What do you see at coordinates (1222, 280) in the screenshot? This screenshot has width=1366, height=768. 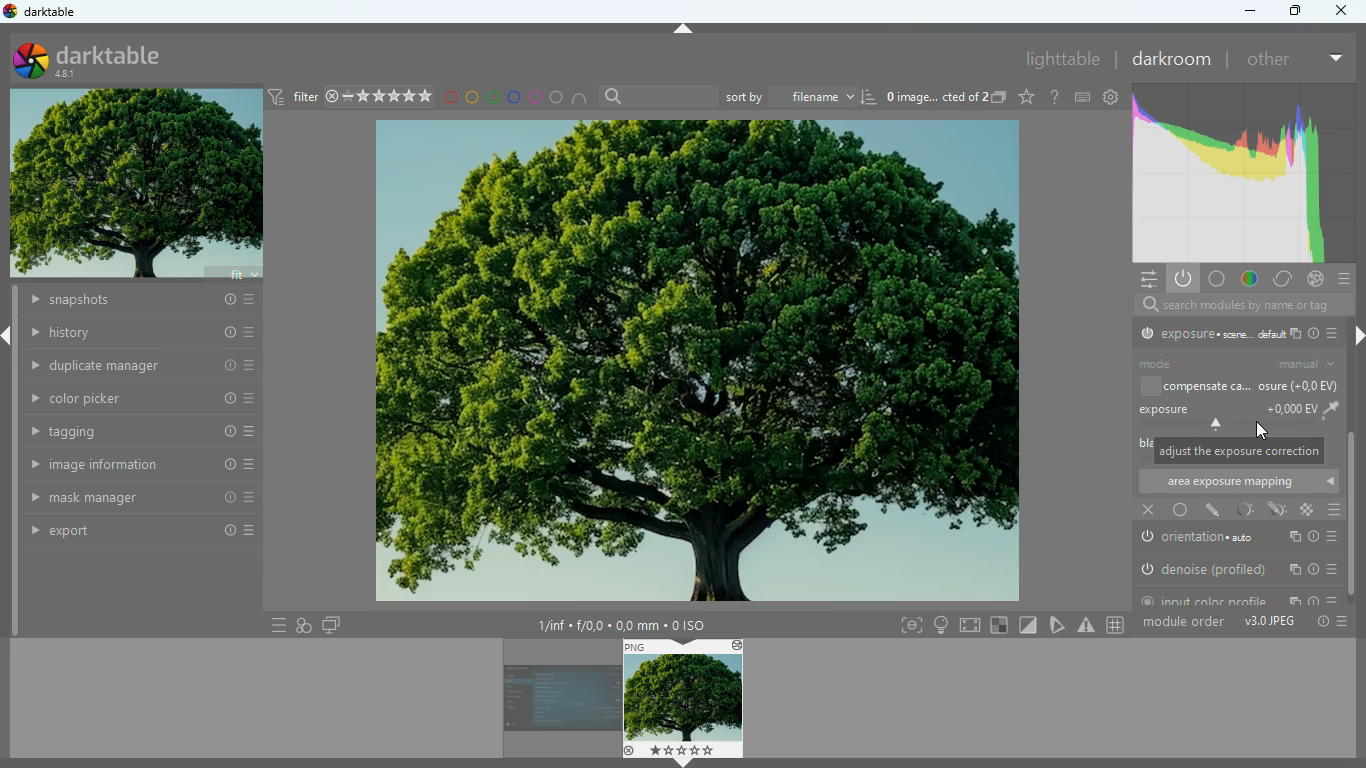 I see `base` at bounding box center [1222, 280].